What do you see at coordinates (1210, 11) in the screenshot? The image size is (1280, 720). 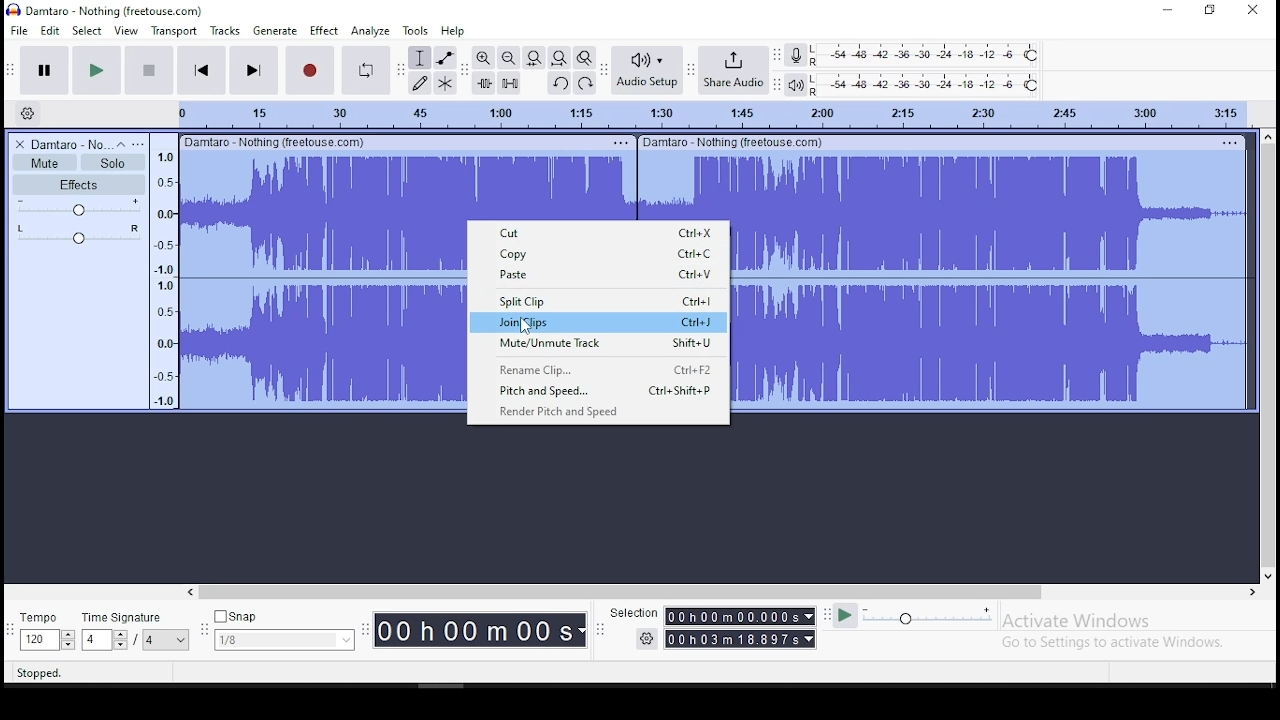 I see `restore` at bounding box center [1210, 11].